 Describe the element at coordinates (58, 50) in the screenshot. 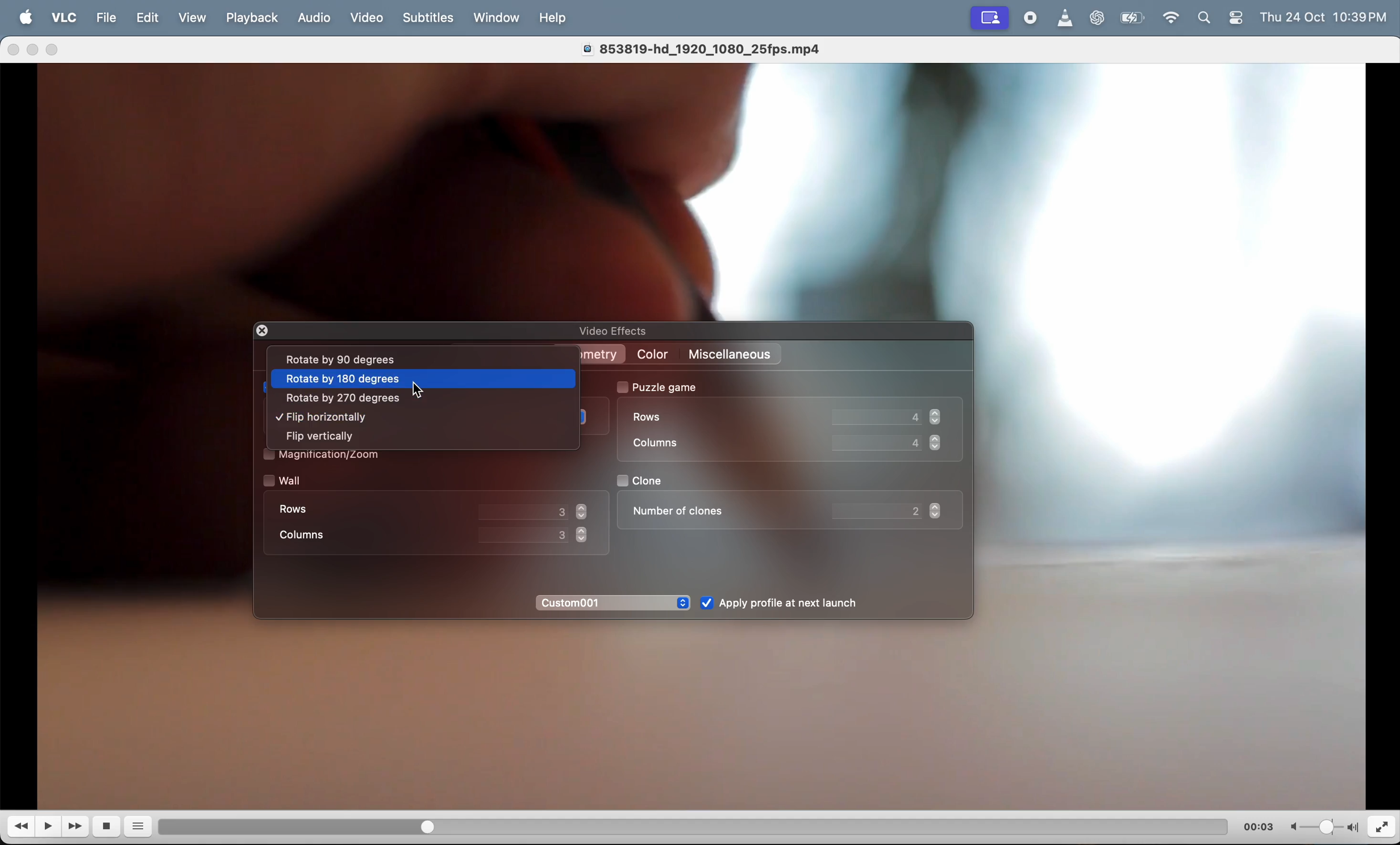

I see `maximize` at that location.